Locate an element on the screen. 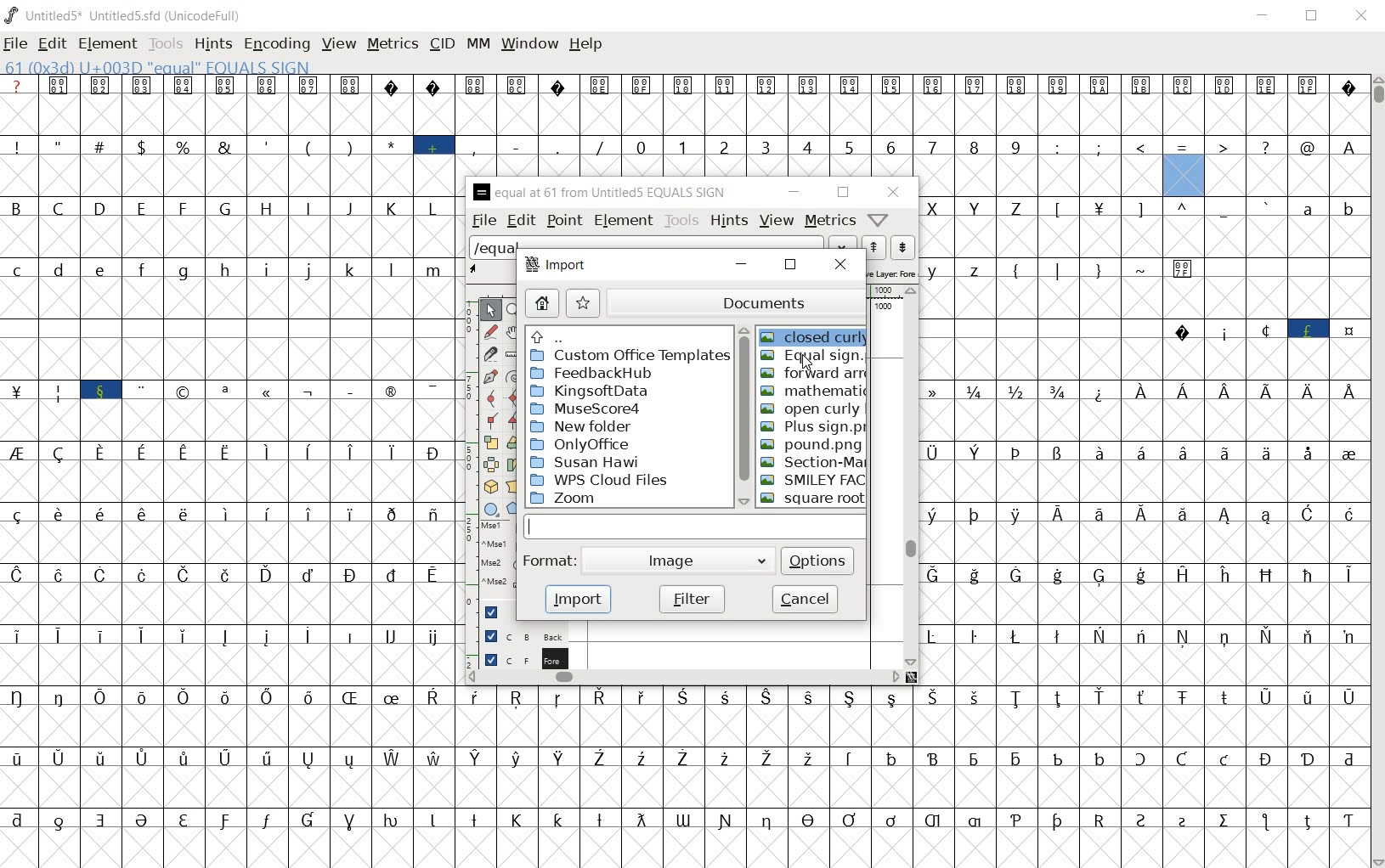 The height and width of the screenshot is (868, 1385). import is located at coordinates (557, 265).